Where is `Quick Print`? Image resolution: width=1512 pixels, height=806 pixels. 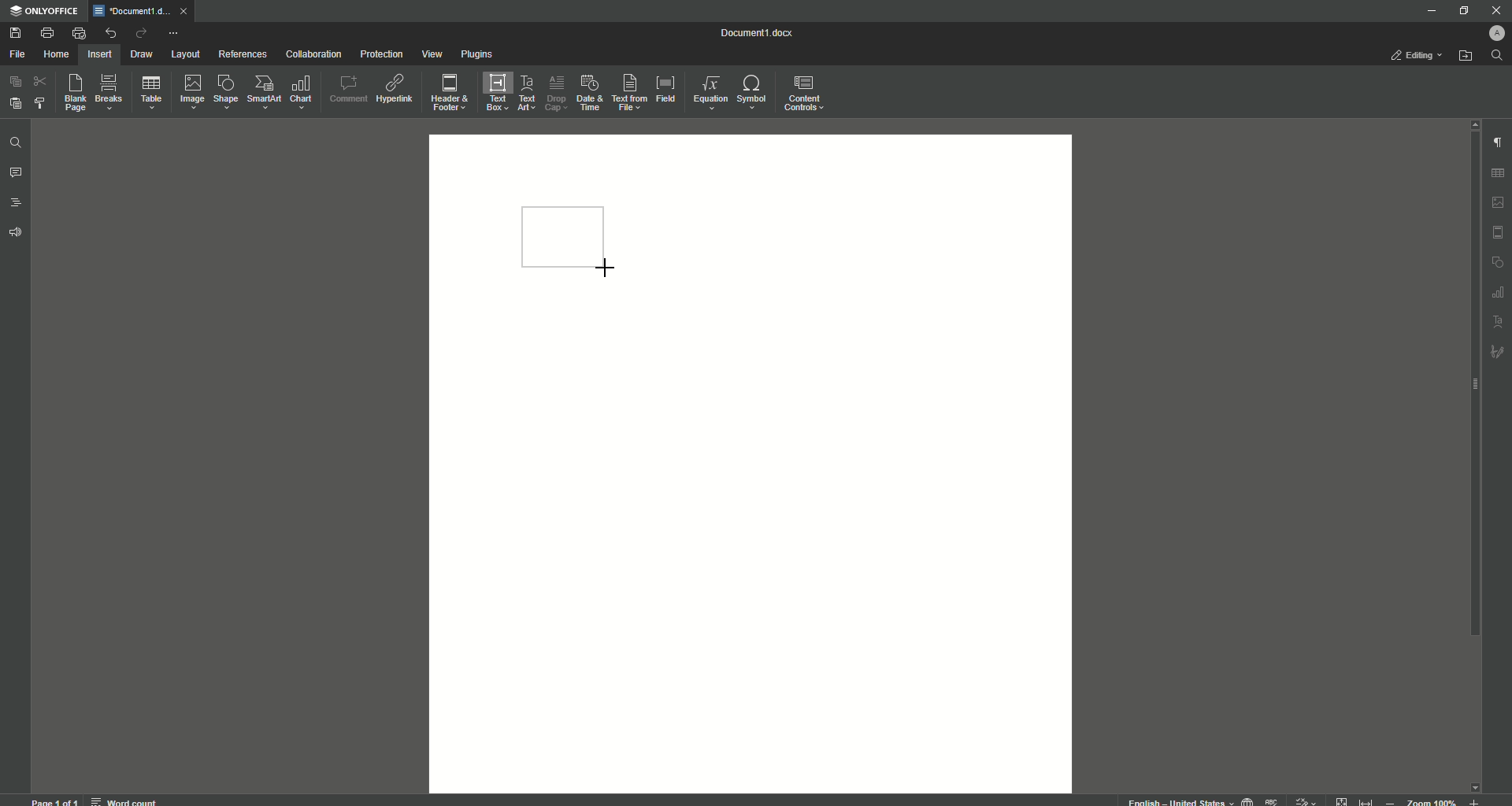 Quick Print is located at coordinates (79, 33).